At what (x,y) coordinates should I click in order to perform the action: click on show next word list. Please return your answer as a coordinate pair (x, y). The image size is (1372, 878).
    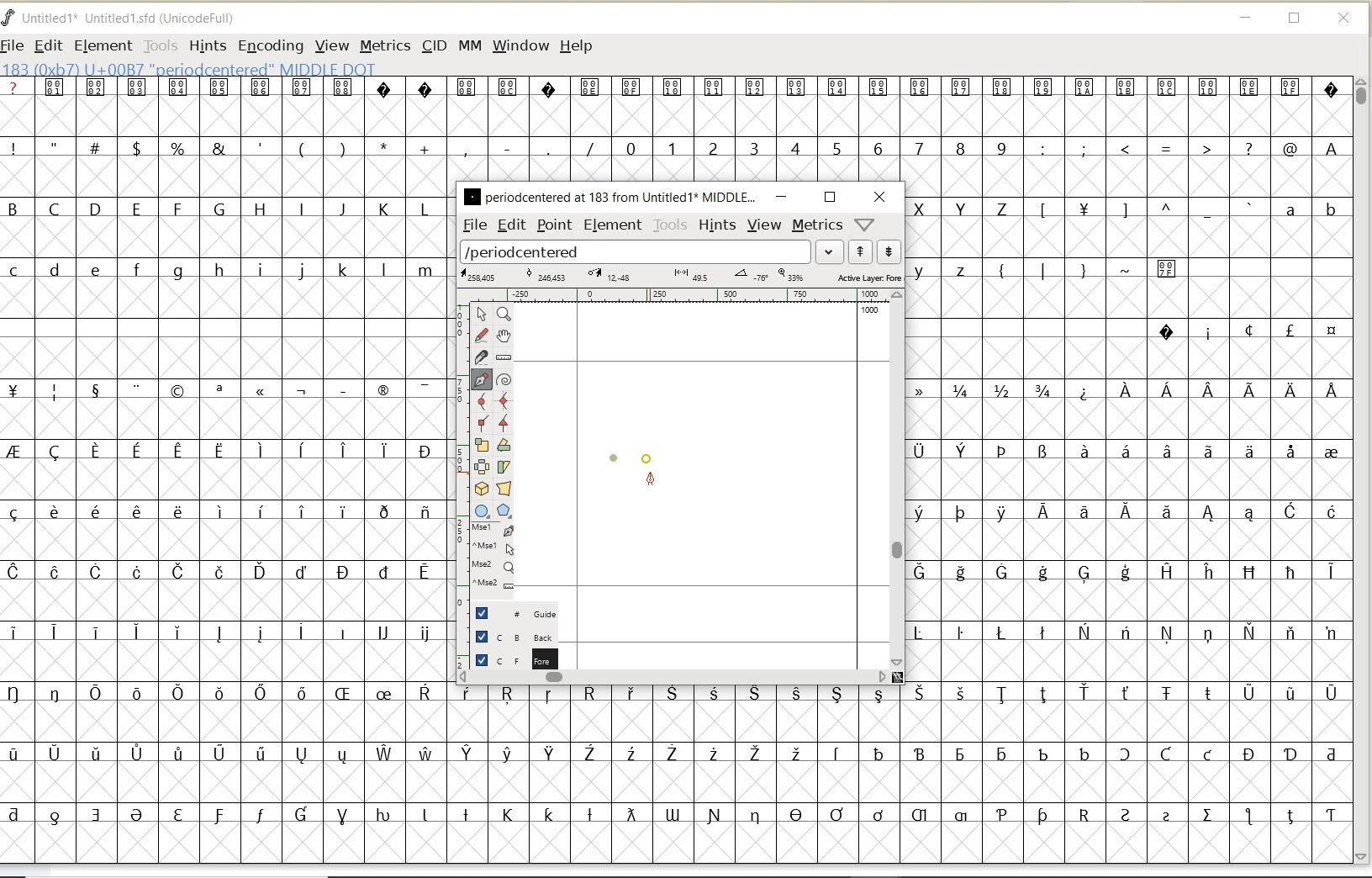
    Looking at the image, I should click on (891, 252).